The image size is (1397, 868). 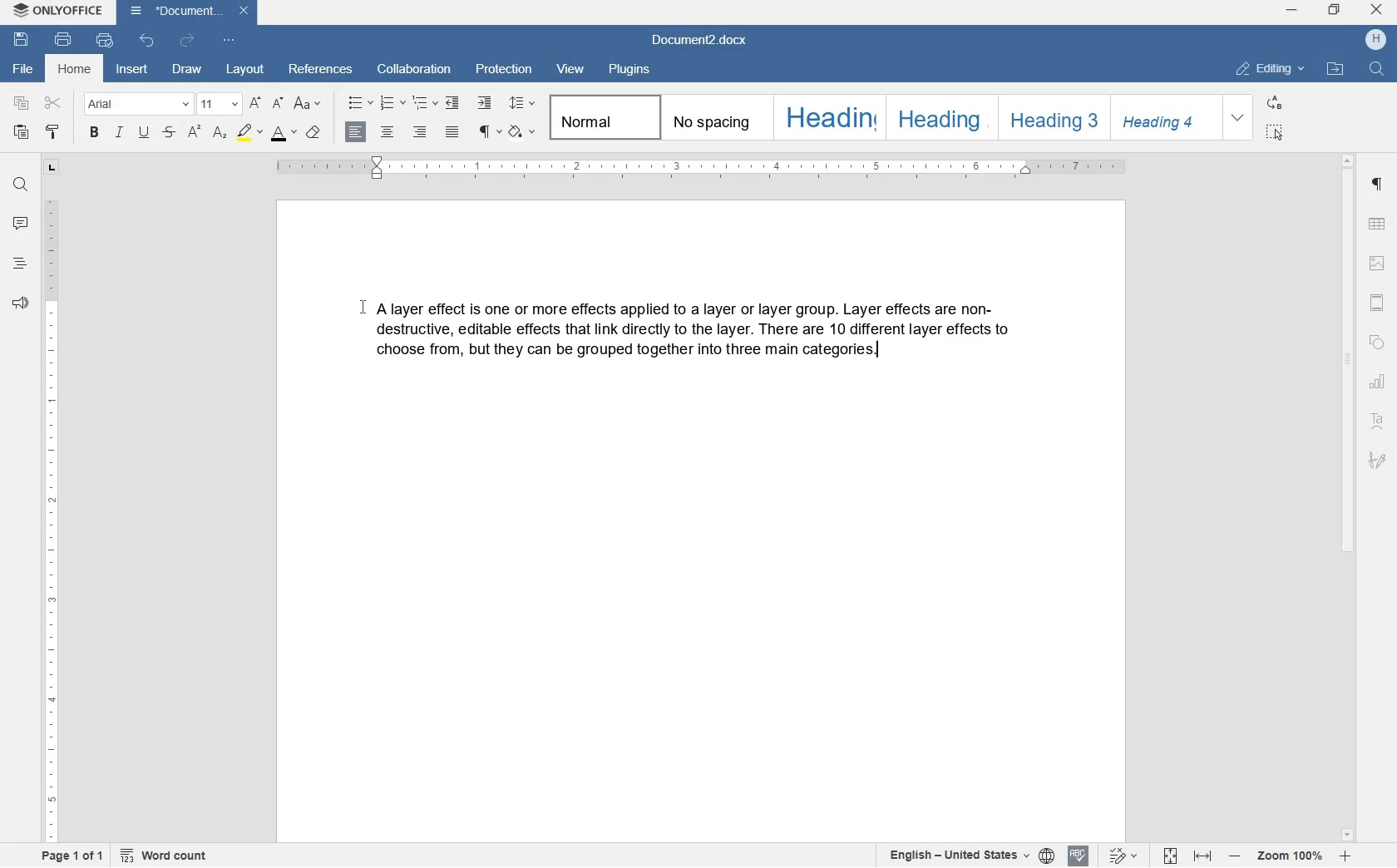 What do you see at coordinates (419, 132) in the screenshot?
I see `align right` at bounding box center [419, 132].